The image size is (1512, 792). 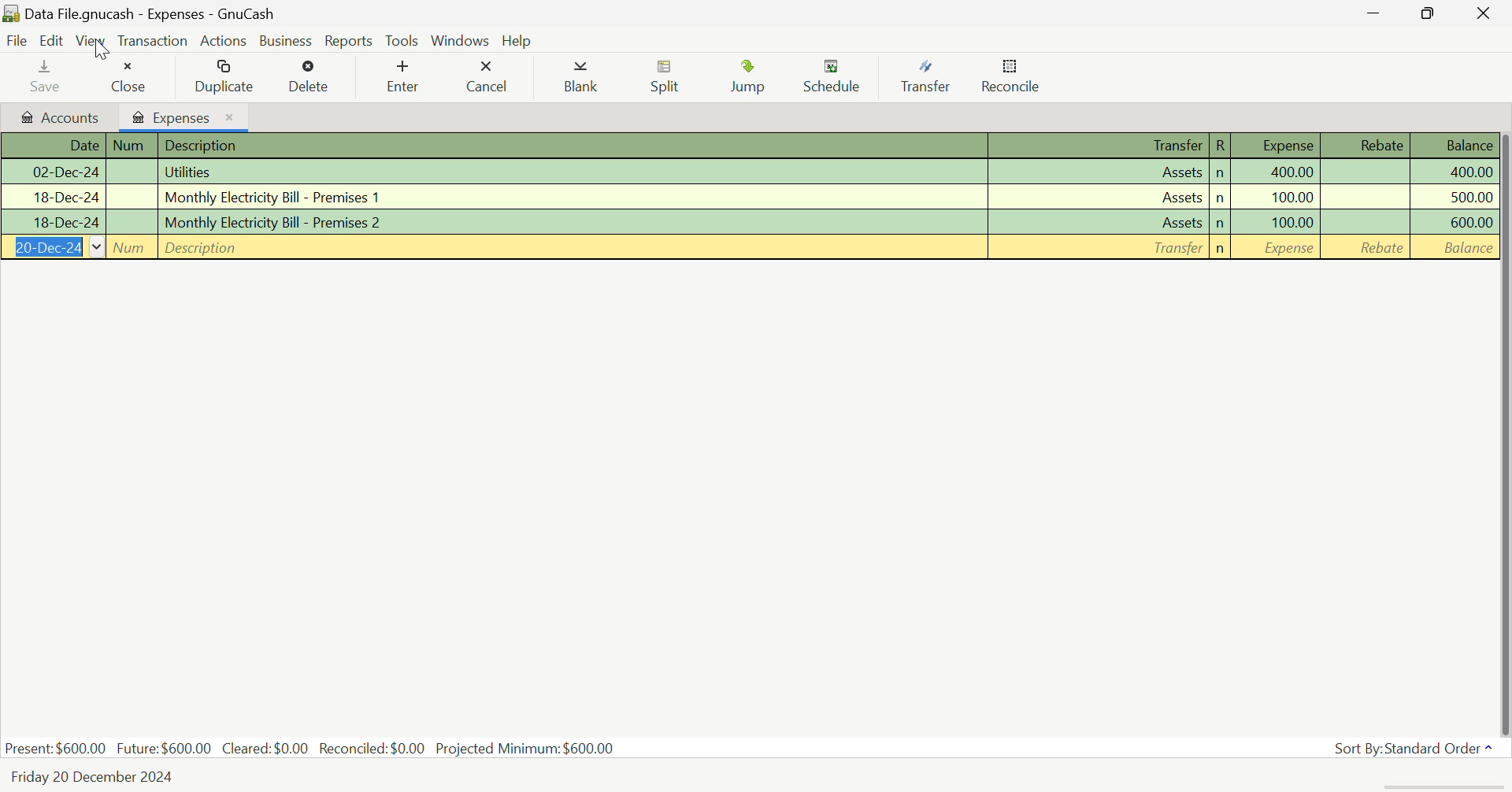 What do you see at coordinates (573, 247) in the screenshot?
I see `Description` at bounding box center [573, 247].